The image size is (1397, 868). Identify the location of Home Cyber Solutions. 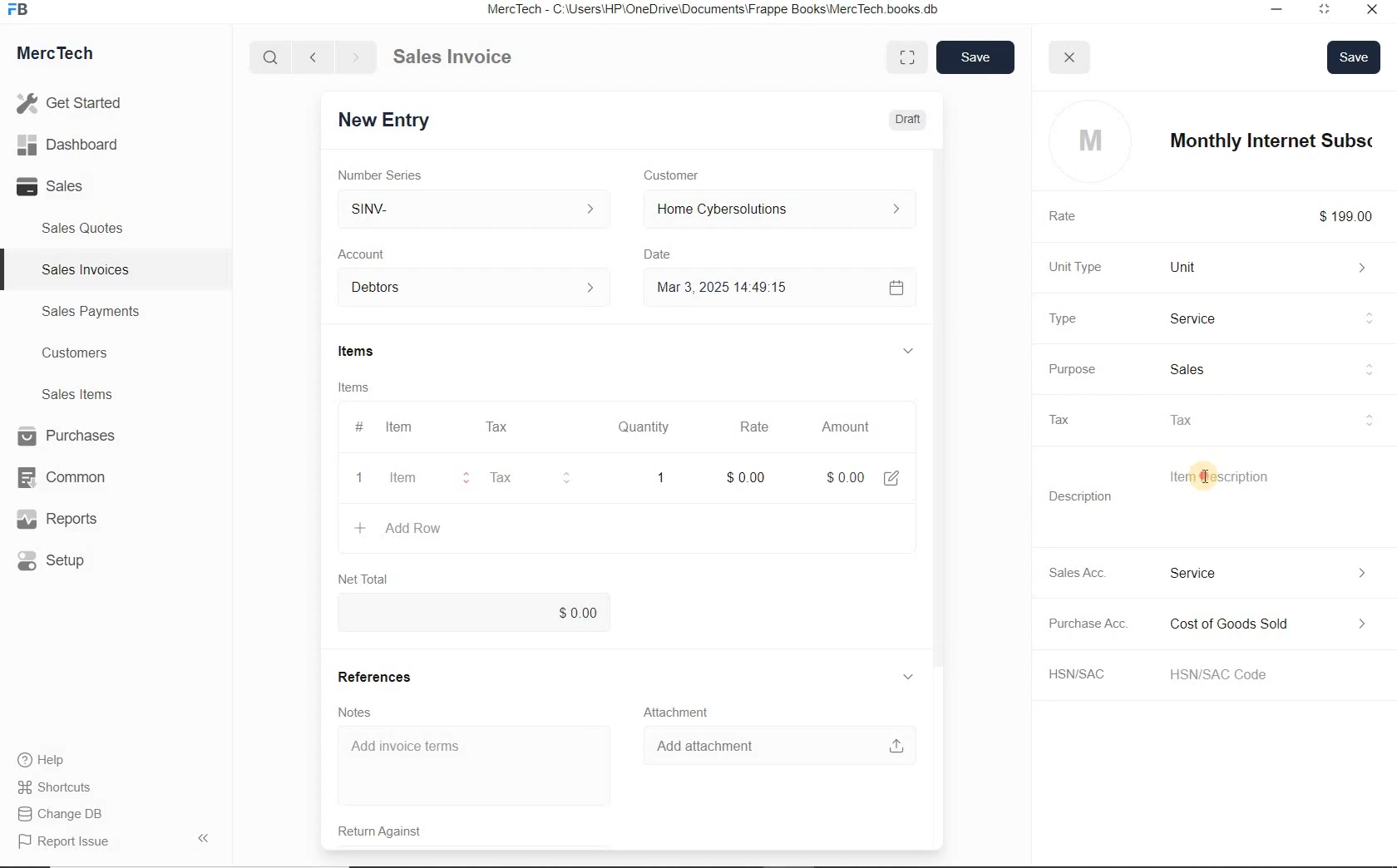
(774, 210).